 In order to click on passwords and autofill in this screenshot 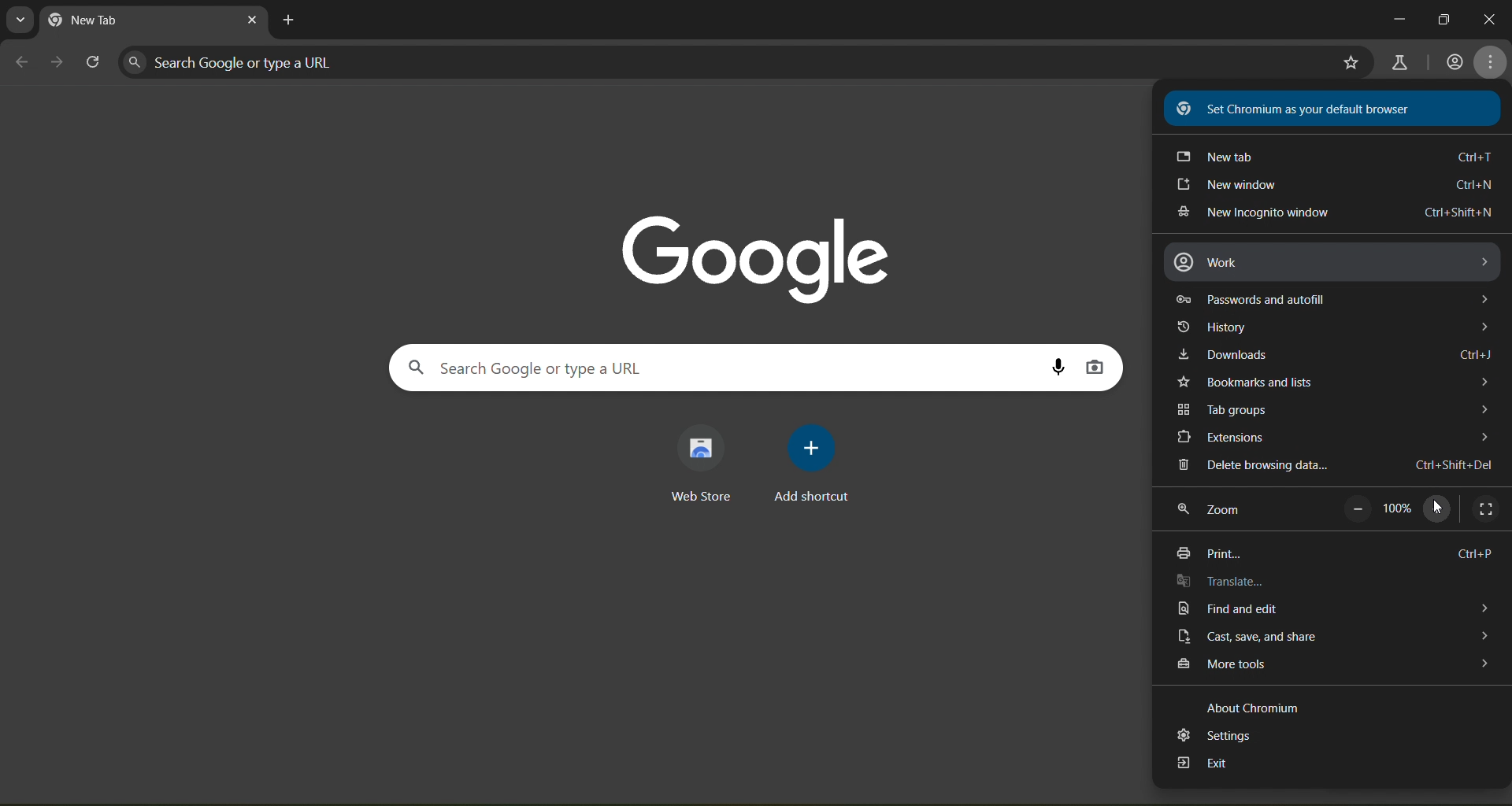, I will do `click(1336, 298)`.